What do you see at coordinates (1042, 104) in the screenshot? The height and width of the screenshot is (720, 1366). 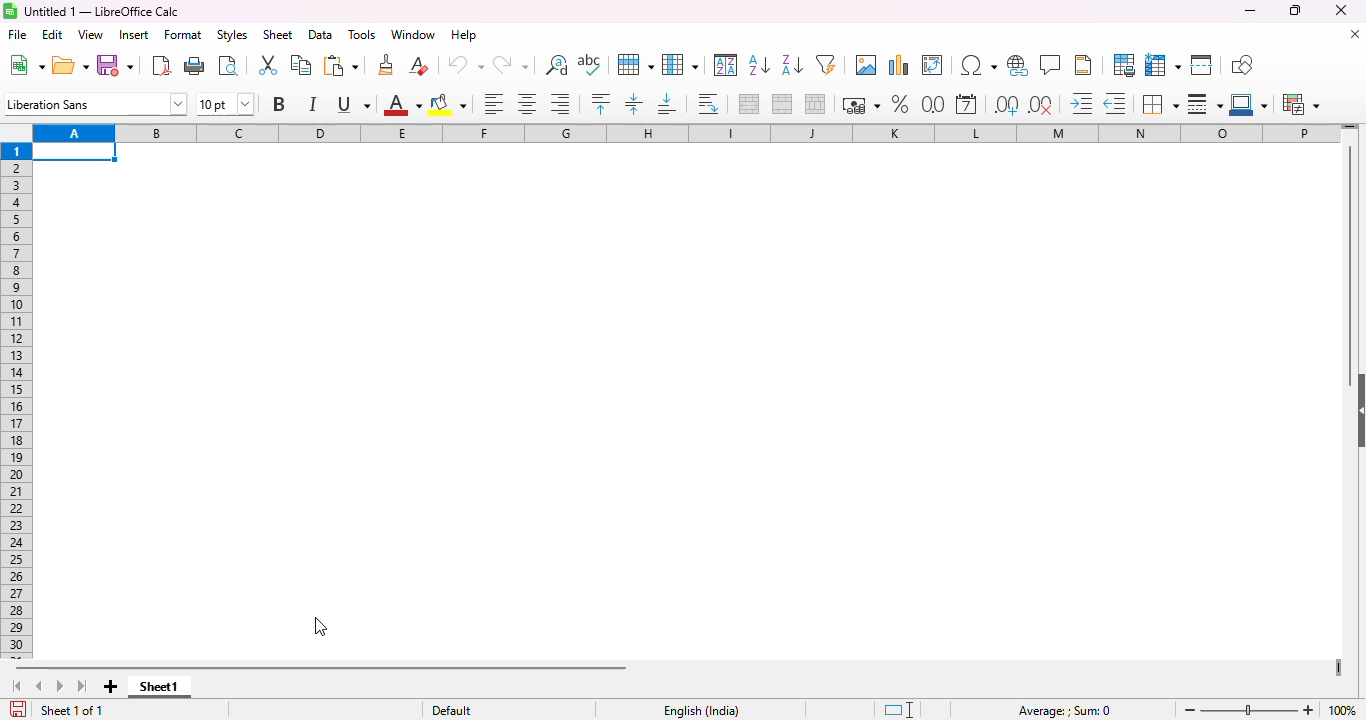 I see `delete decimal` at bounding box center [1042, 104].